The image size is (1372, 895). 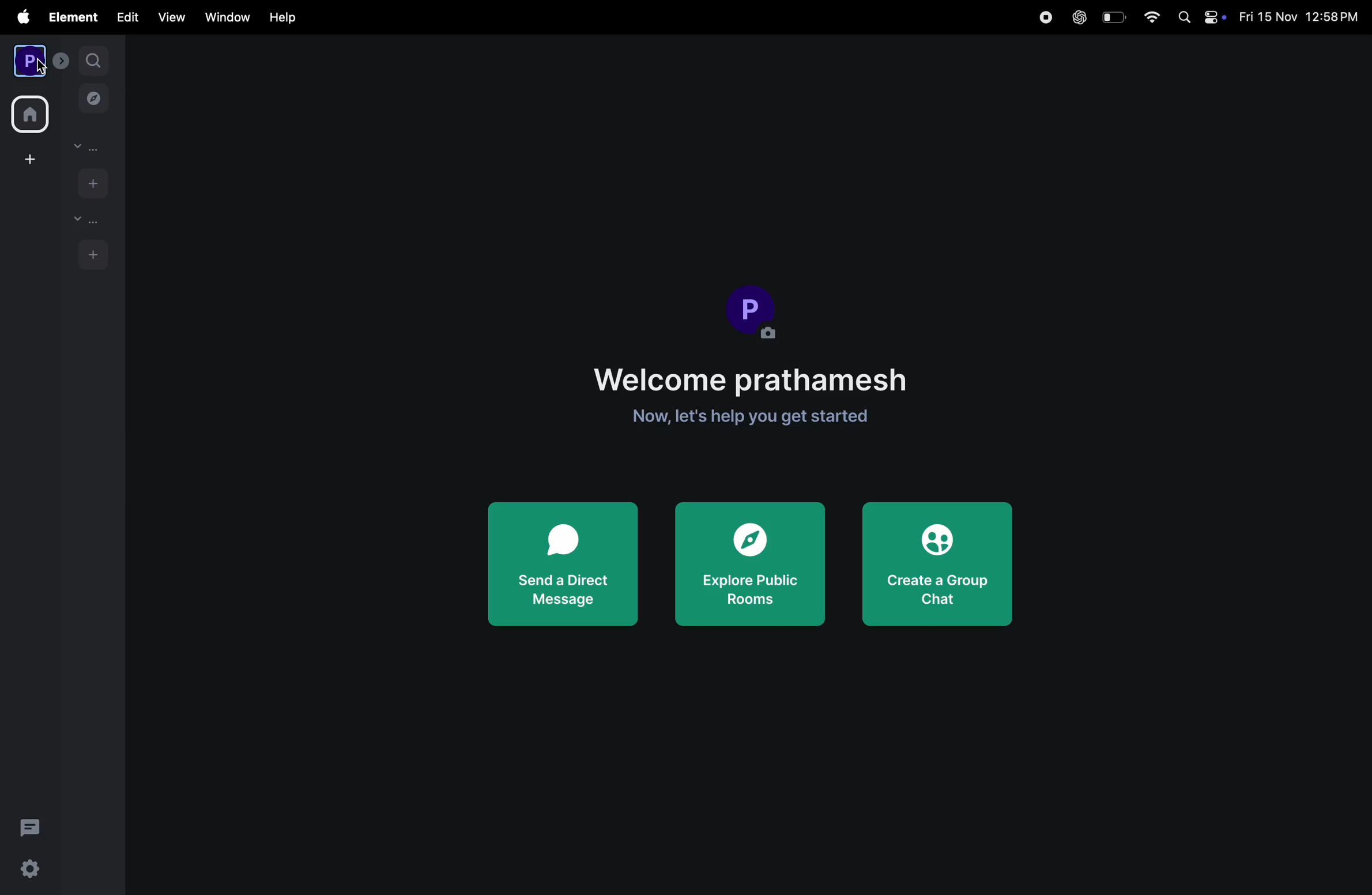 What do you see at coordinates (27, 61) in the screenshot?
I see `profile` at bounding box center [27, 61].